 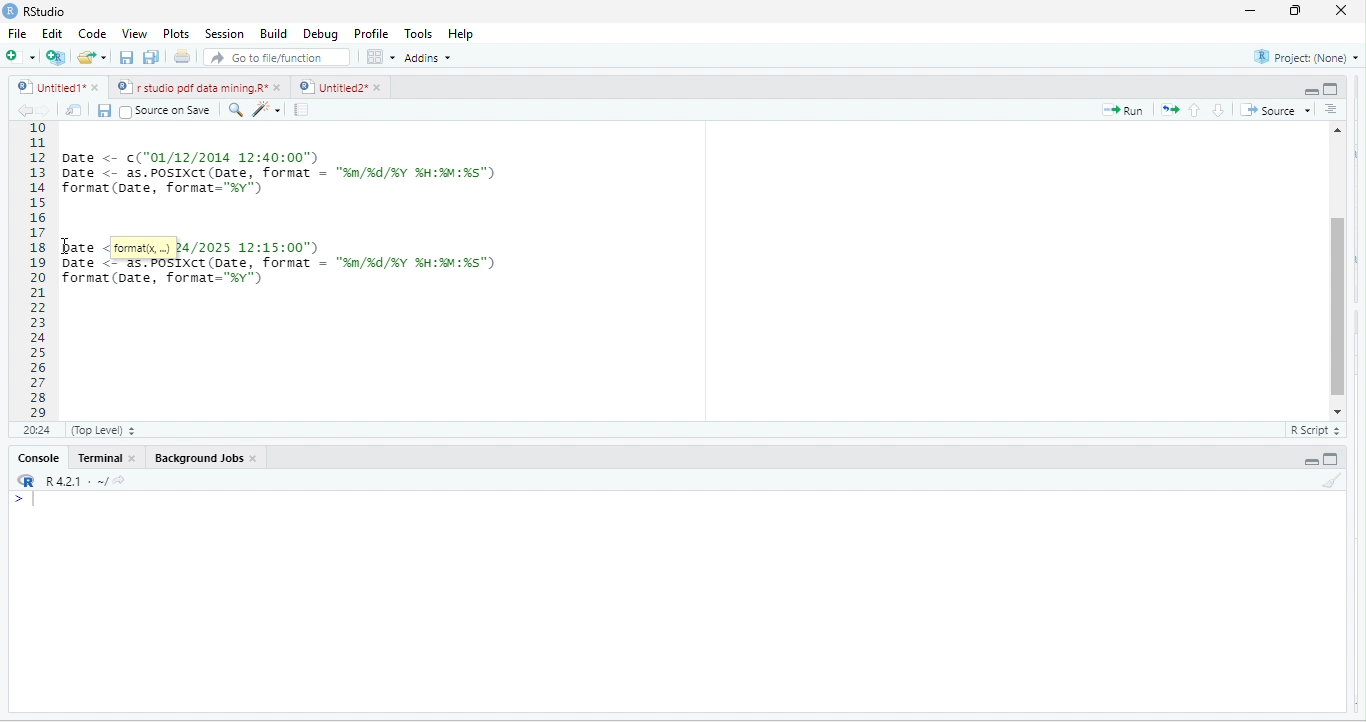 I want to click on maximize, so click(x=1292, y=12).